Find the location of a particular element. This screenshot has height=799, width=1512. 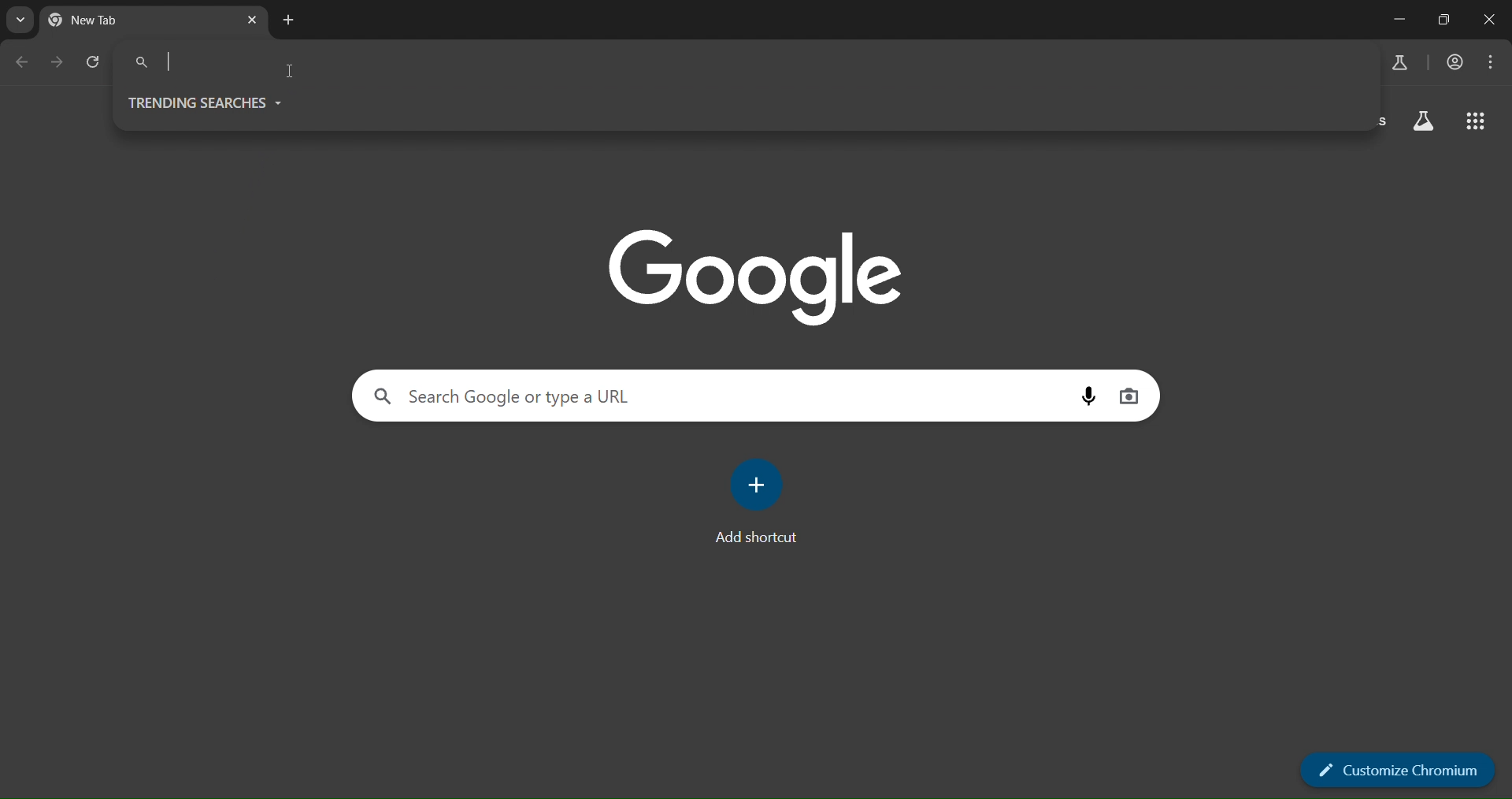

search labs is located at coordinates (1397, 61).